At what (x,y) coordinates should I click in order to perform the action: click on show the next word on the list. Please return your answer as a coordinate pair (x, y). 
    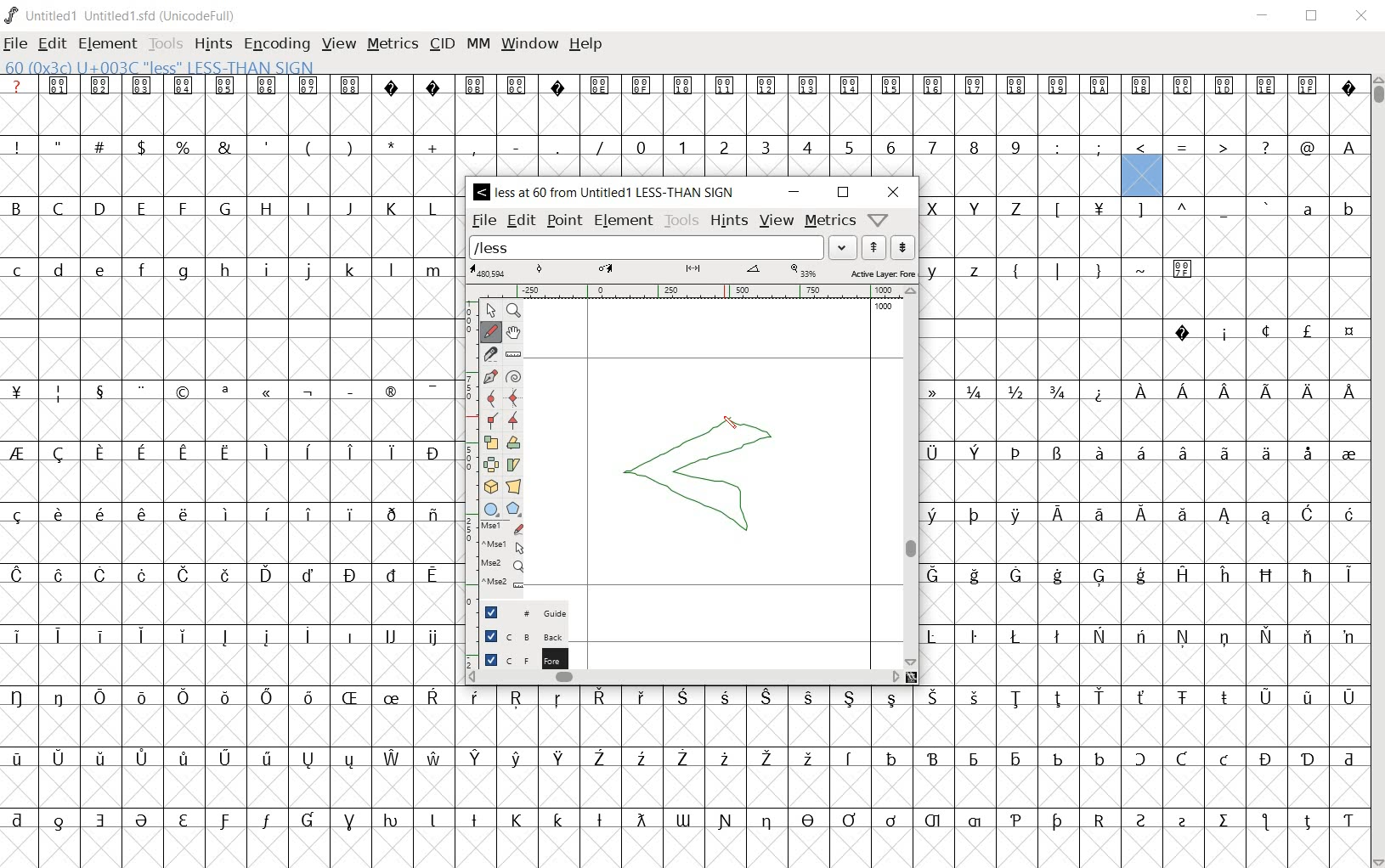
    Looking at the image, I should click on (877, 247).